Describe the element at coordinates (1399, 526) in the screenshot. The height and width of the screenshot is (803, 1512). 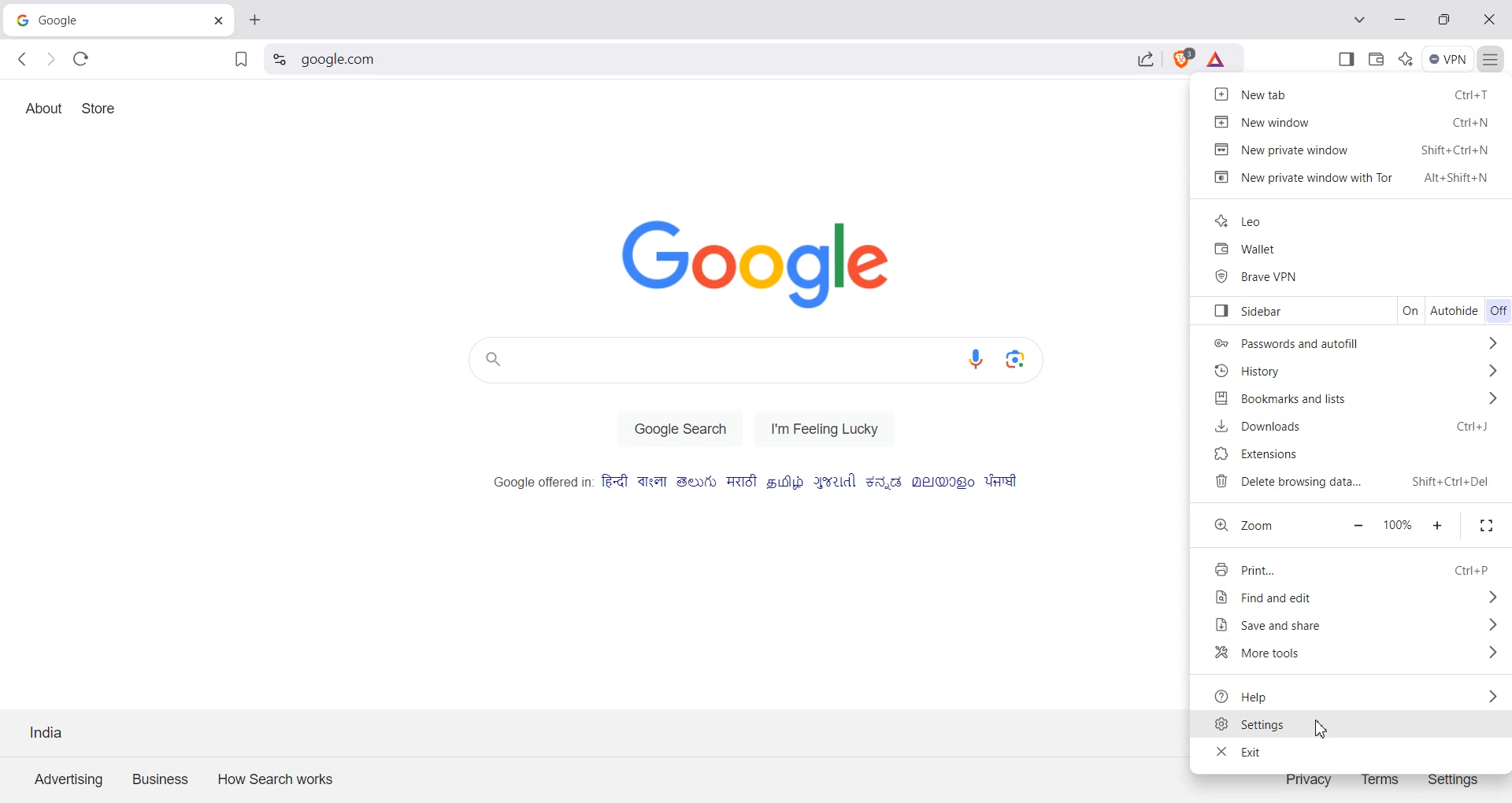
I see `Zoom 100%` at that location.